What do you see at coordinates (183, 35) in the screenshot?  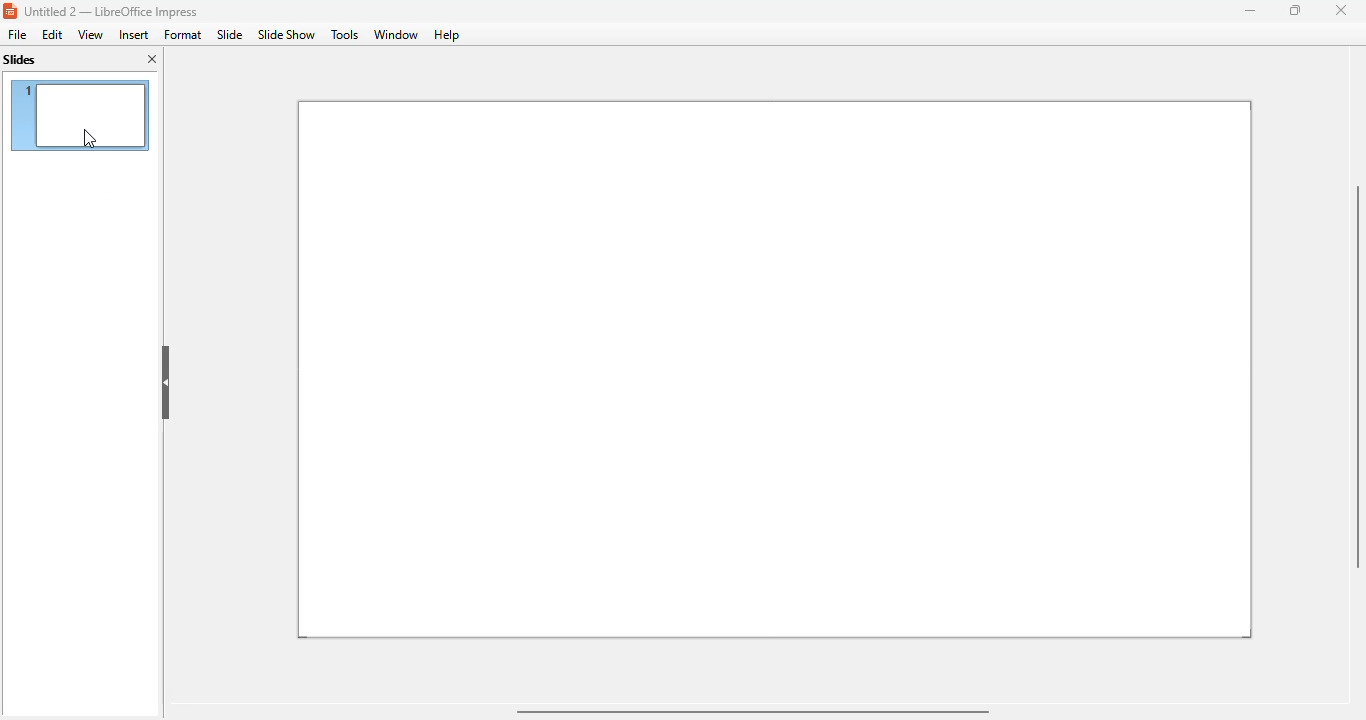 I see `format` at bounding box center [183, 35].